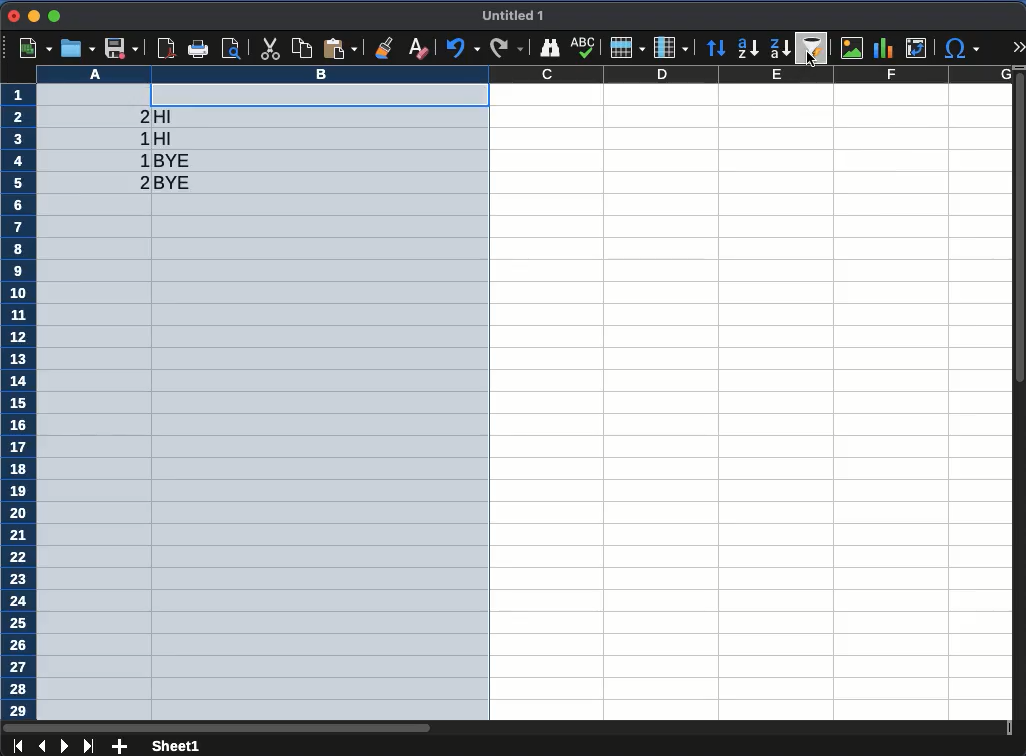 The height and width of the screenshot is (756, 1026). Describe the element at coordinates (670, 48) in the screenshot. I see `column` at that location.